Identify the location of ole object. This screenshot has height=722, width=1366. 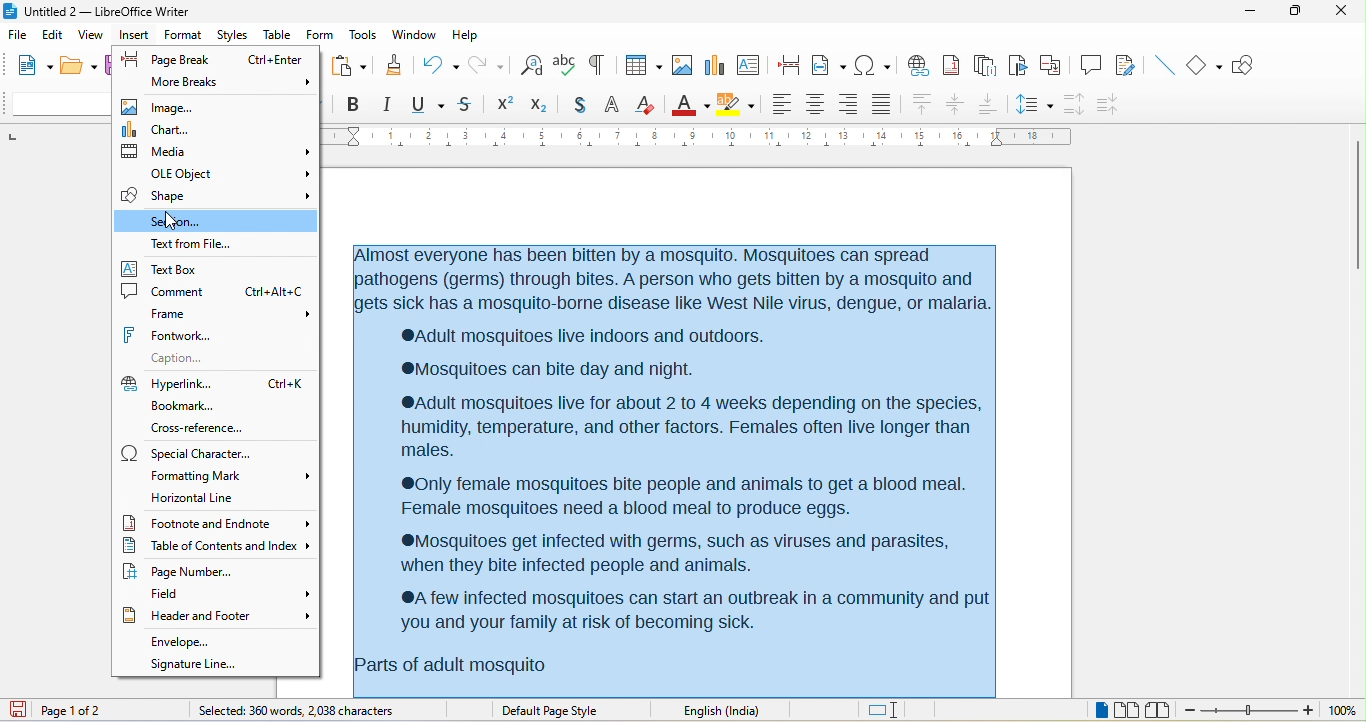
(220, 173).